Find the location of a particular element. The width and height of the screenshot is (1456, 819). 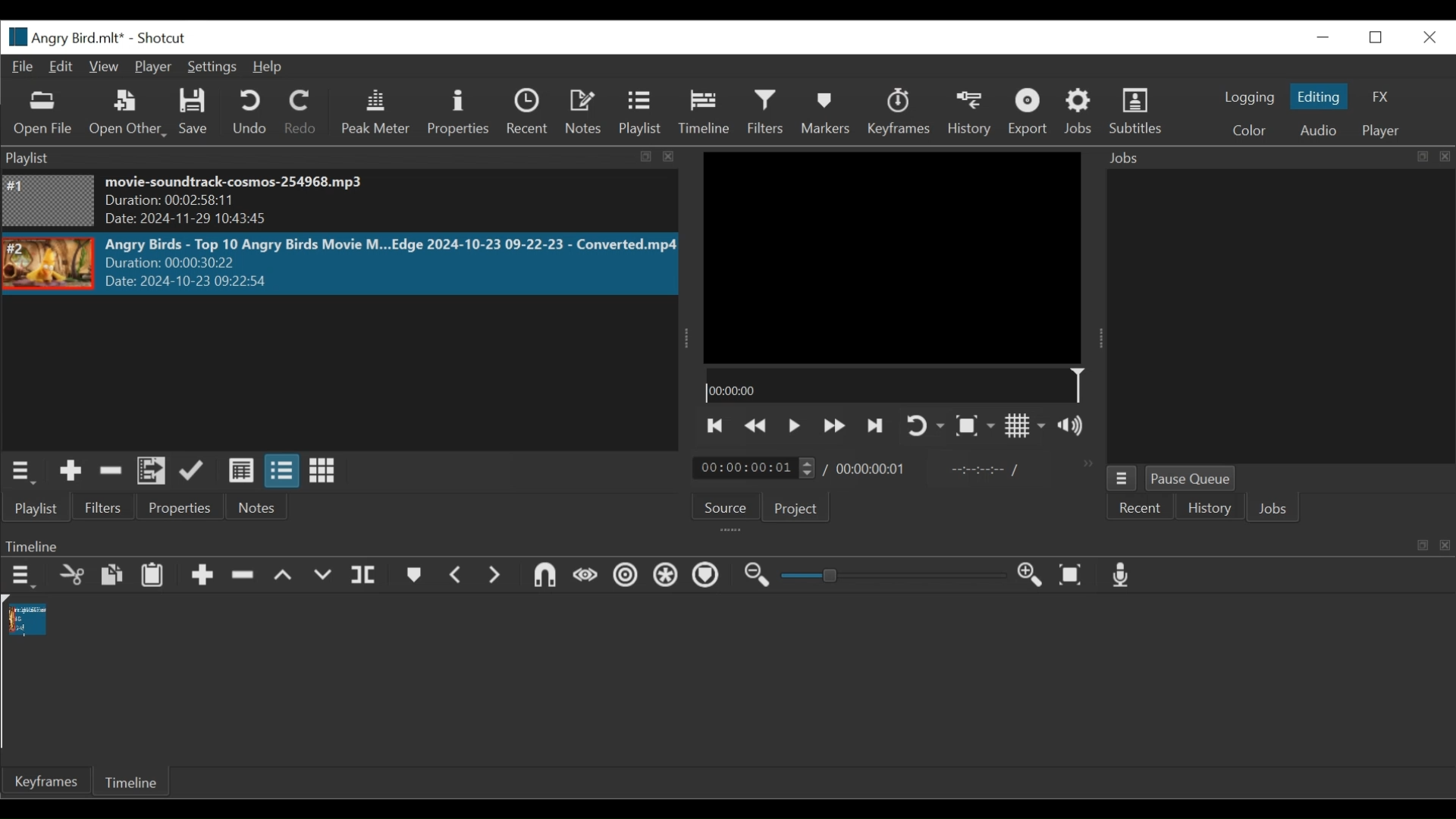

Play quickly forward is located at coordinates (832, 426).